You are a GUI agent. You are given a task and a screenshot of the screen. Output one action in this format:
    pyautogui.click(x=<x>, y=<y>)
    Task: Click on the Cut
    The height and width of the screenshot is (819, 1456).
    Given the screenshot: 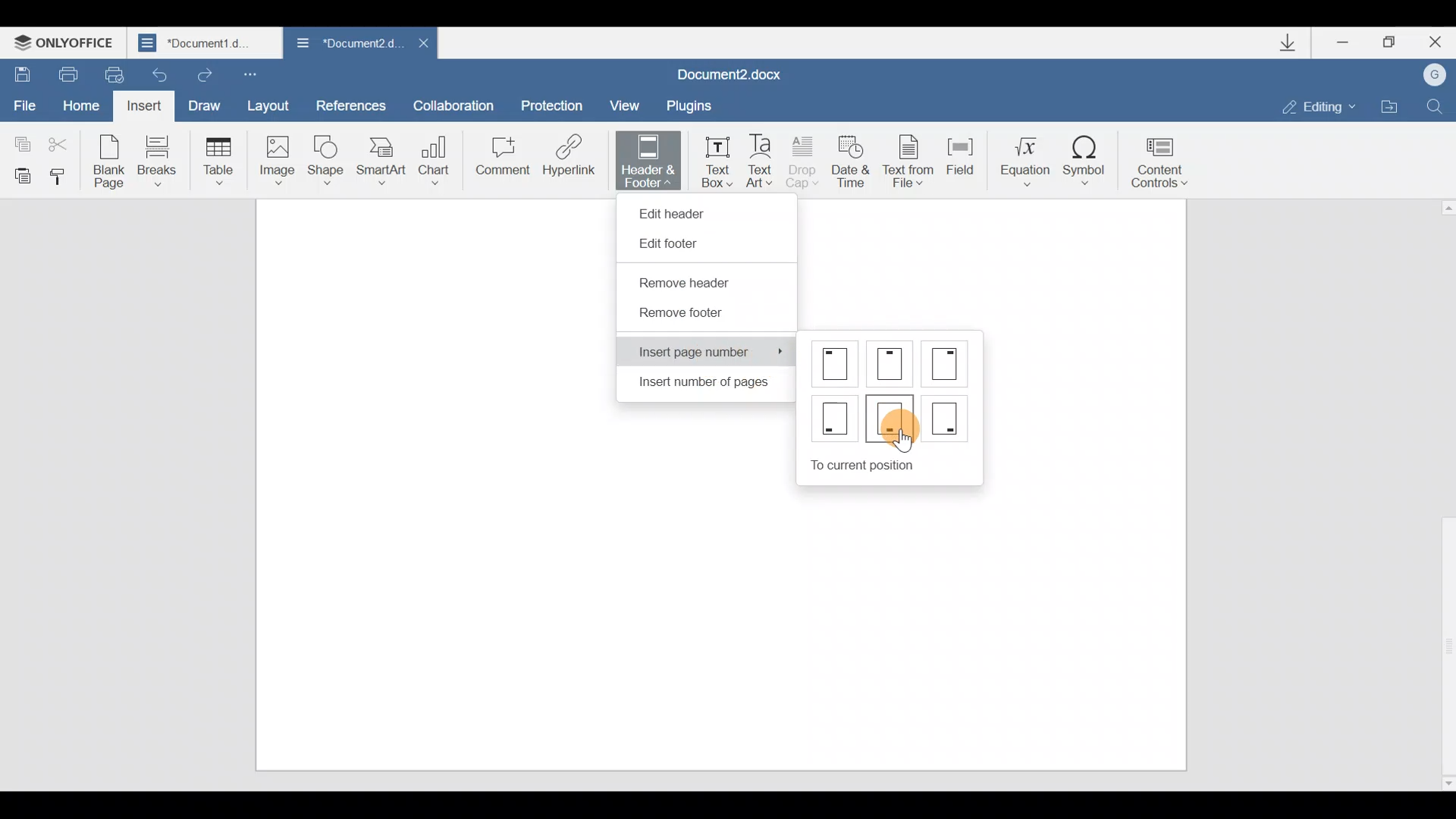 What is the action you would take?
    pyautogui.click(x=62, y=145)
    